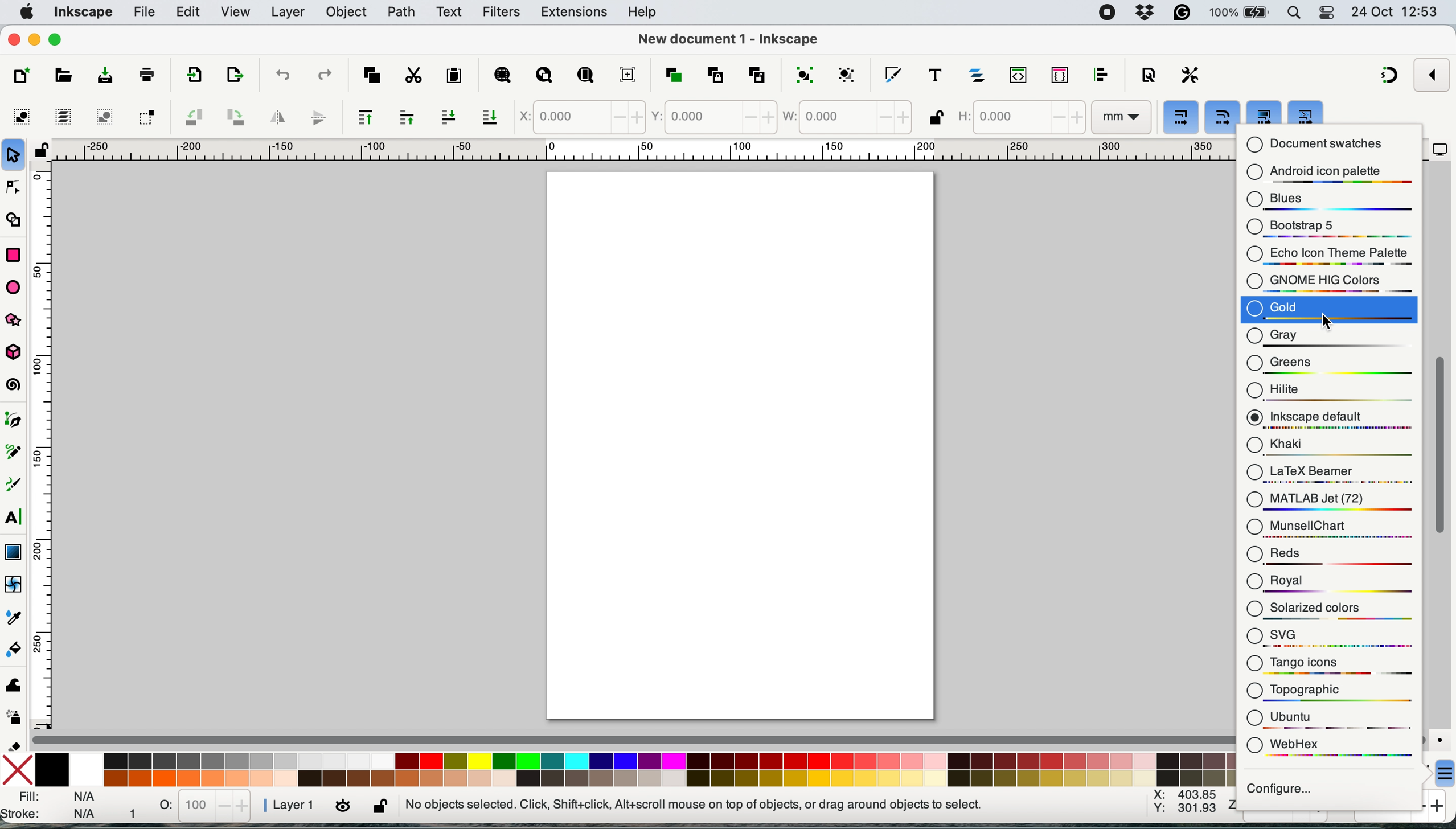 The width and height of the screenshot is (1456, 829). What do you see at coordinates (18, 220) in the screenshot?
I see `shape builder tool` at bounding box center [18, 220].